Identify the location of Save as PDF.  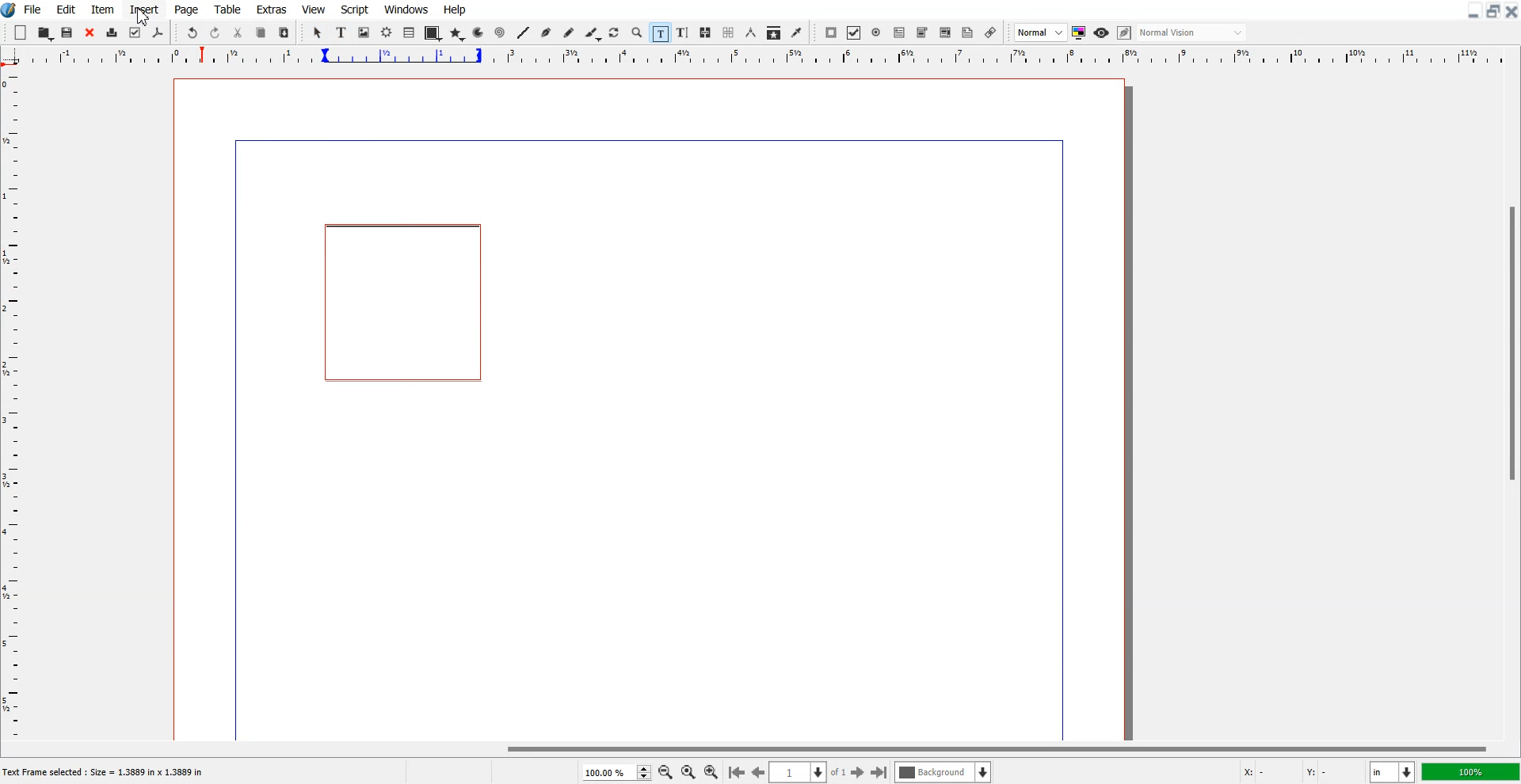
(158, 33).